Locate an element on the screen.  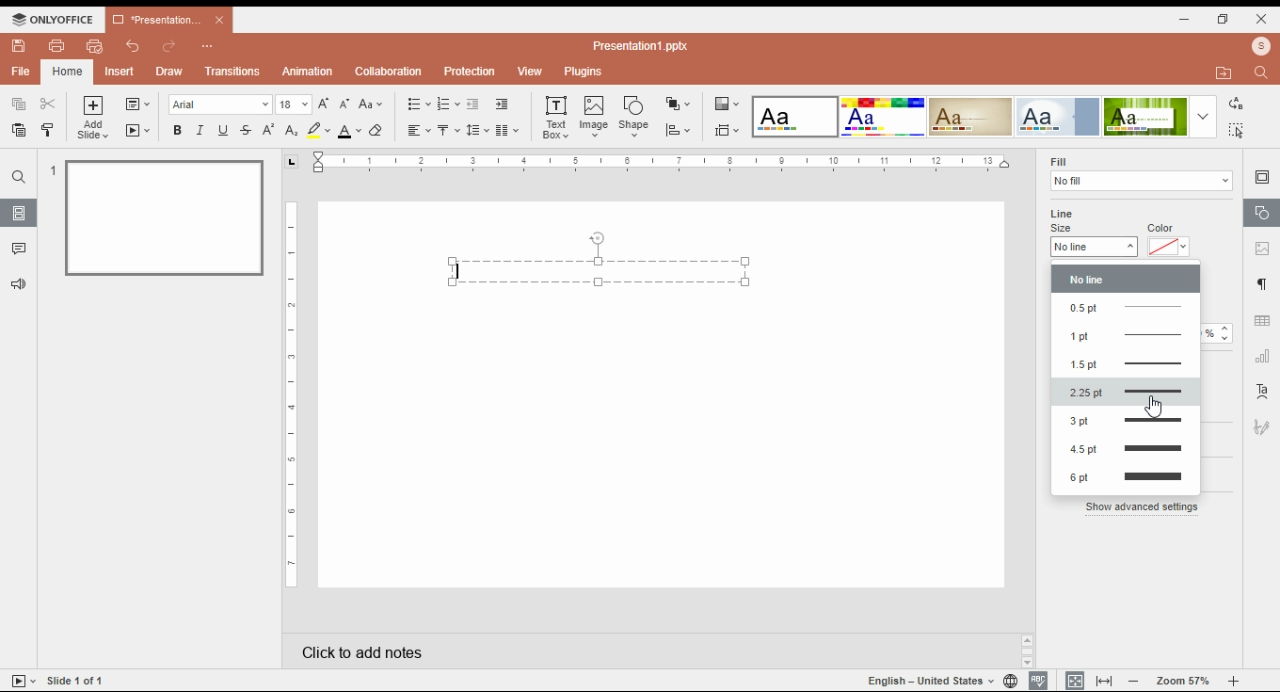
clear is located at coordinates (380, 130).